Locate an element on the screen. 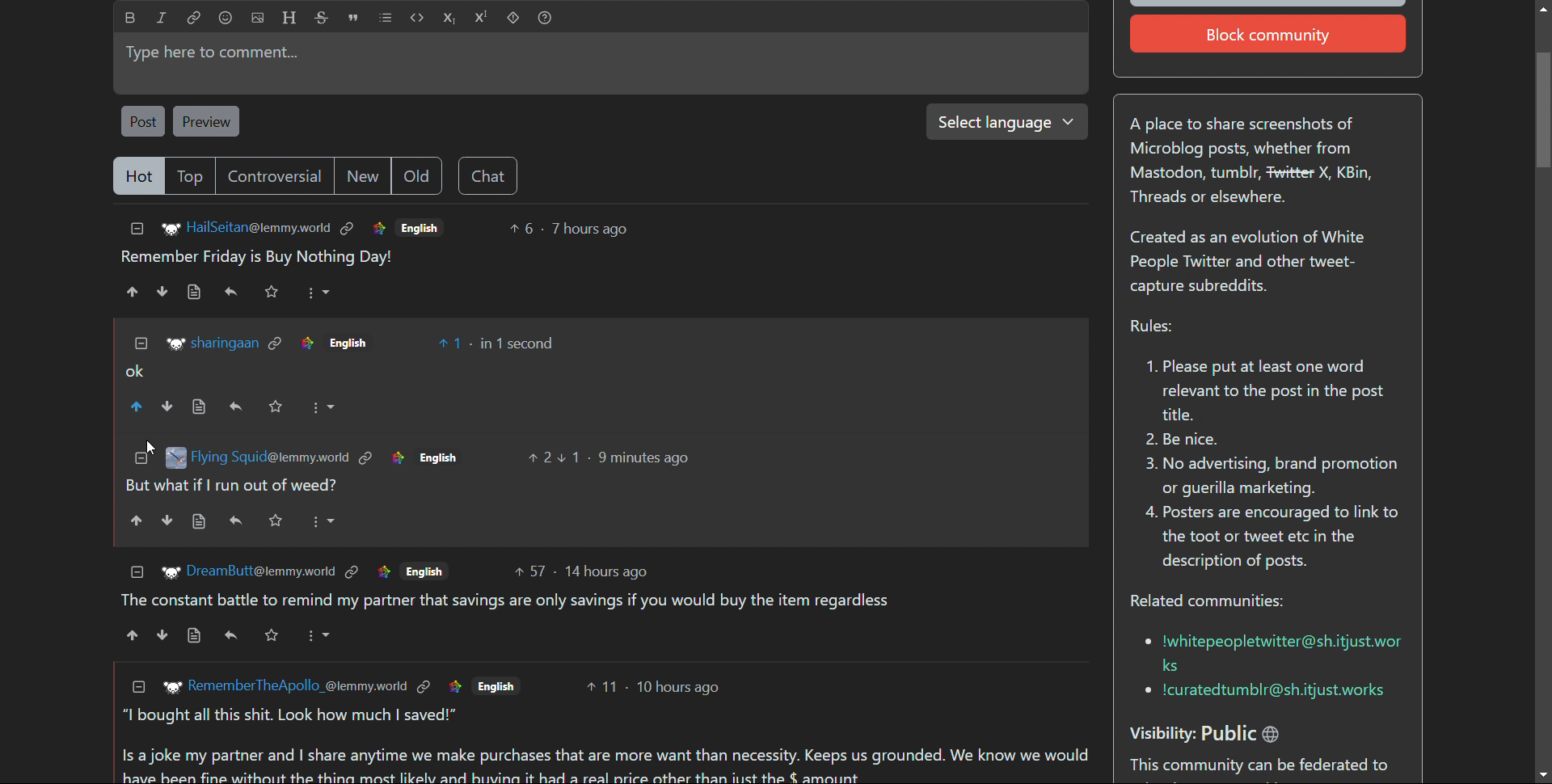 The height and width of the screenshot is (784, 1552). link is located at coordinates (424, 685).